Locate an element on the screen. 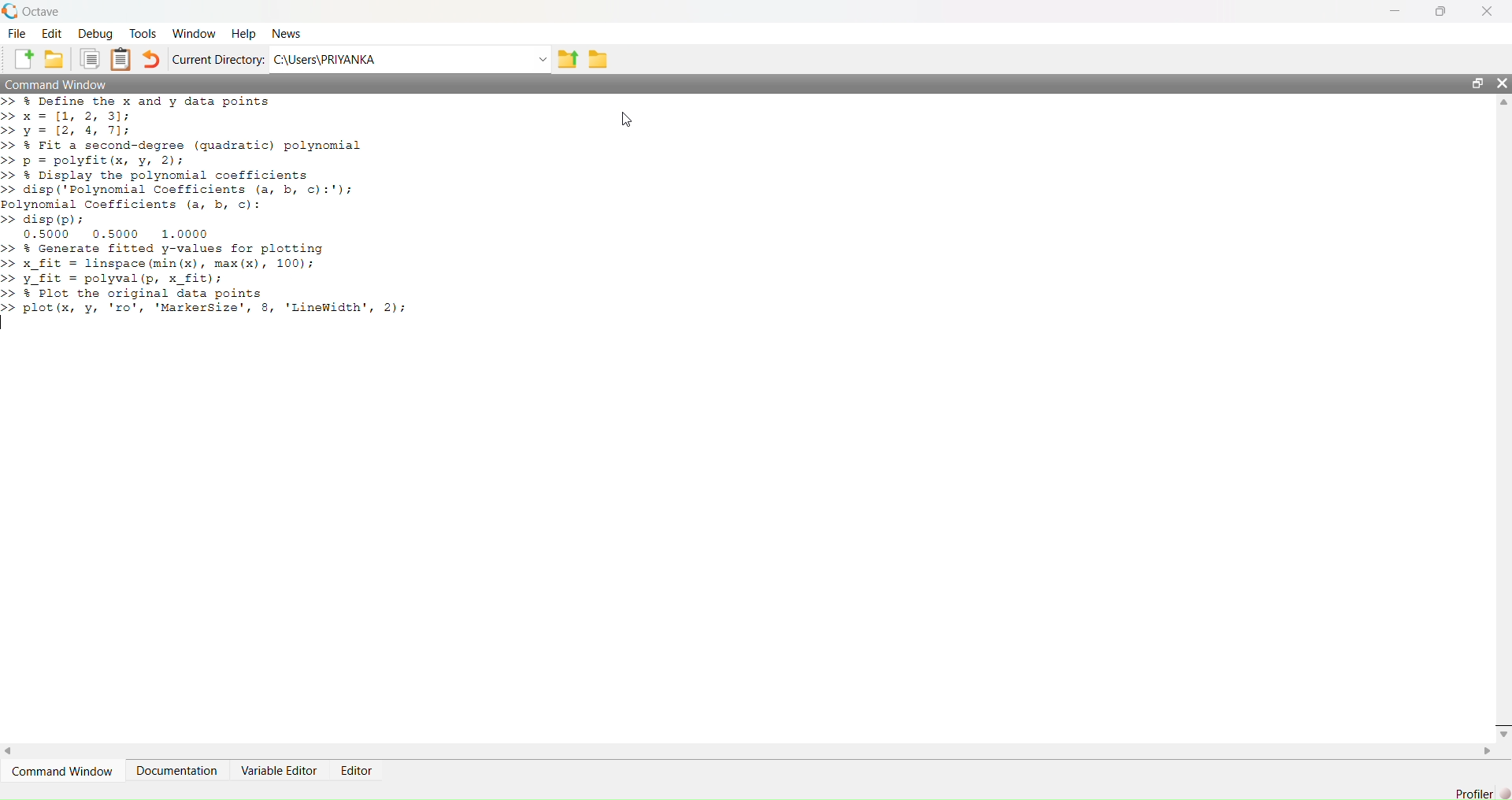 This screenshot has height=800, width=1512. >> % Define the x and y data points
>> x = [1, 2, 317
>> y = 12, 4, 71;
>> & Fit a second-degree (quadratic) polynomial
>> p = polyfit(x, y, 2);
>> % Display the polynomial coefficients
>> disp ('Polynomial Coefficients (a, b, ¢):');
Polynomial Coefficients (a, b, c):
>> disp (p) 7
0.5000 0.5000 1.0000
>> % Generate fitted y-values for plotting
>> x_fit = linspace (min (x), max (x), 100);
>> y_fit = polyval(p, x_fit);
>> & Plot the original data points
>> plot (x, y, 'ro', 'MarkerSize', 8, 'LineWidth', 2); is located at coordinates (221, 216).